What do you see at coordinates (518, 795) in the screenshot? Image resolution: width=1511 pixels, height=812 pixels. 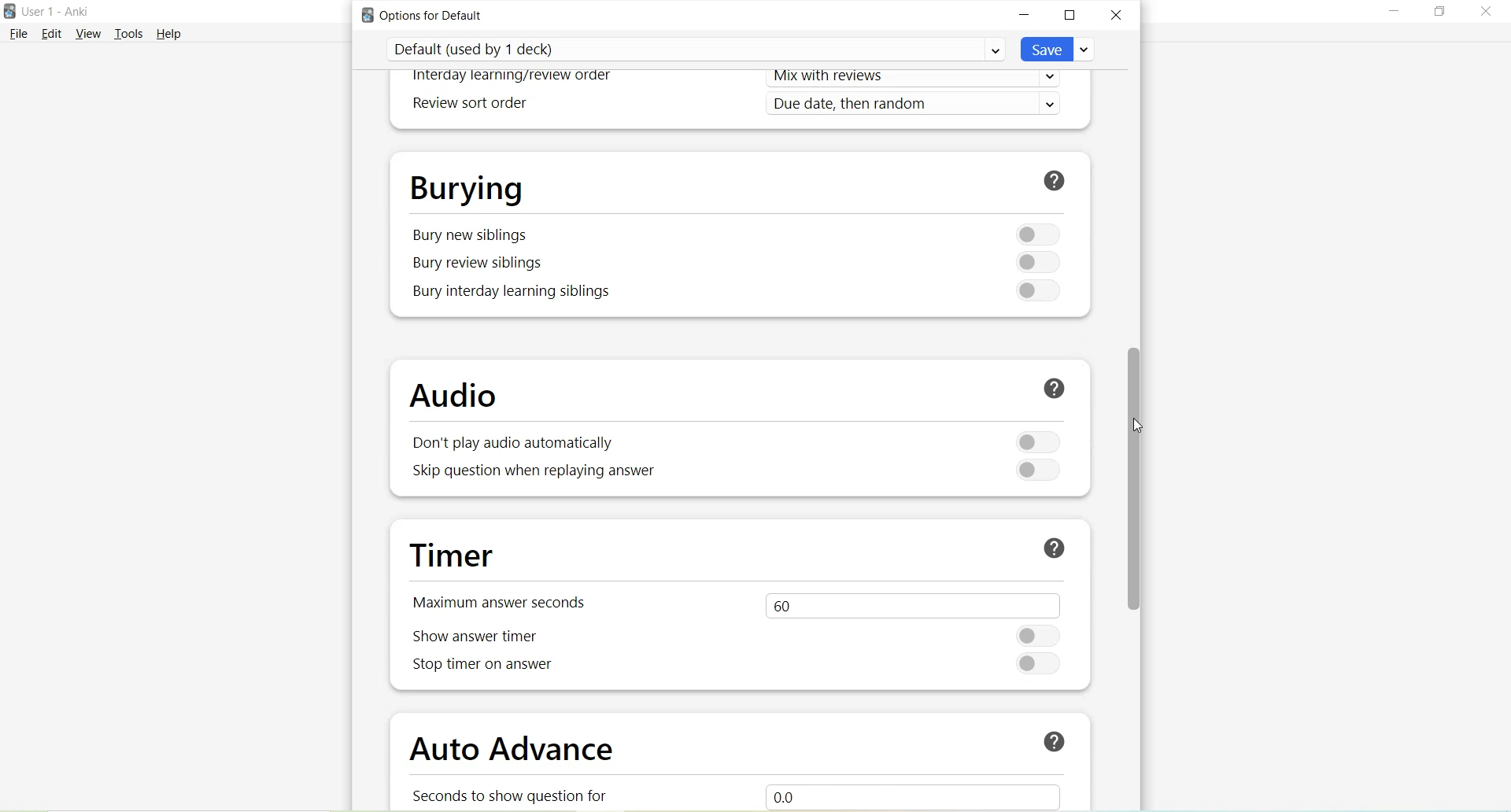 I see `Seconds to show question for` at bounding box center [518, 795].